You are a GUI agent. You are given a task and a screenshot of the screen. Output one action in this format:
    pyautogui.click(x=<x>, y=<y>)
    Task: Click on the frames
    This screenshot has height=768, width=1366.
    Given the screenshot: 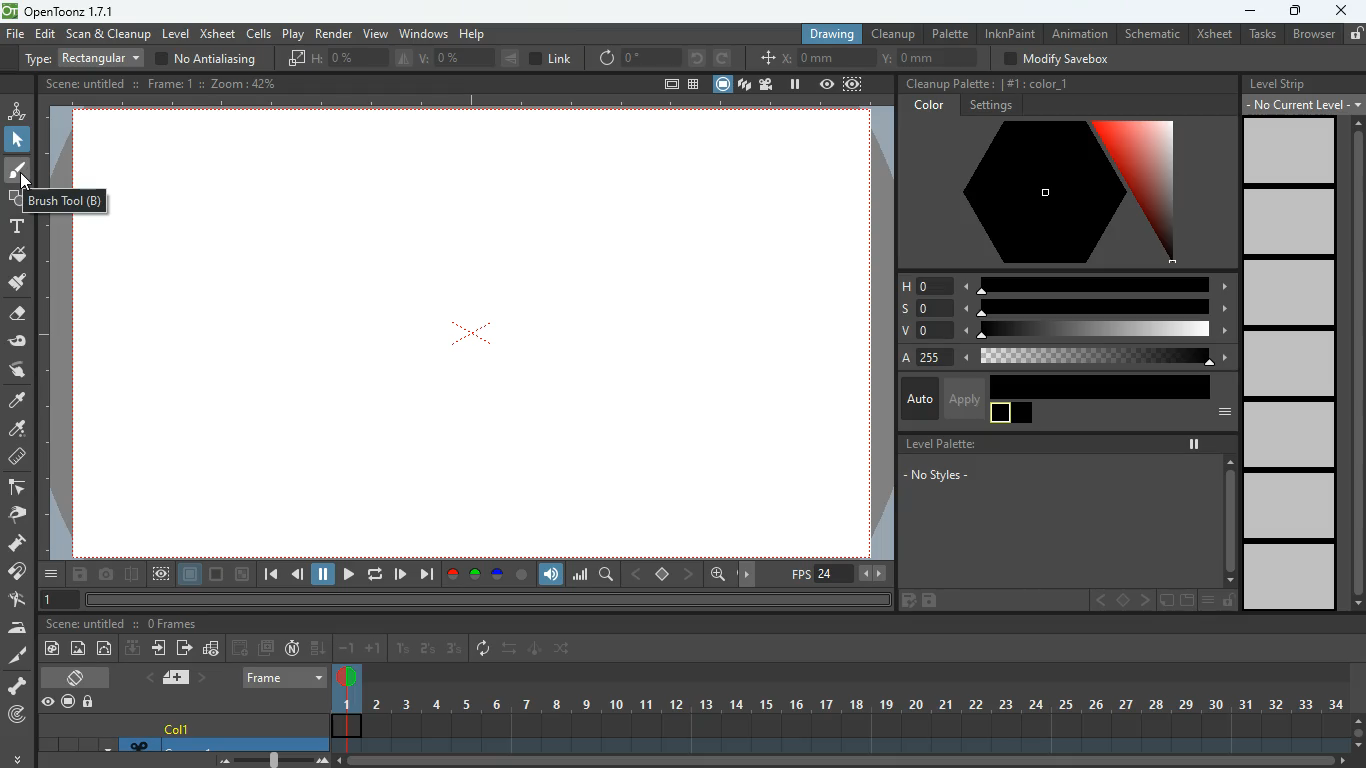 What is the action you would take?
    pyautogui.click(x=838, y=708)
    